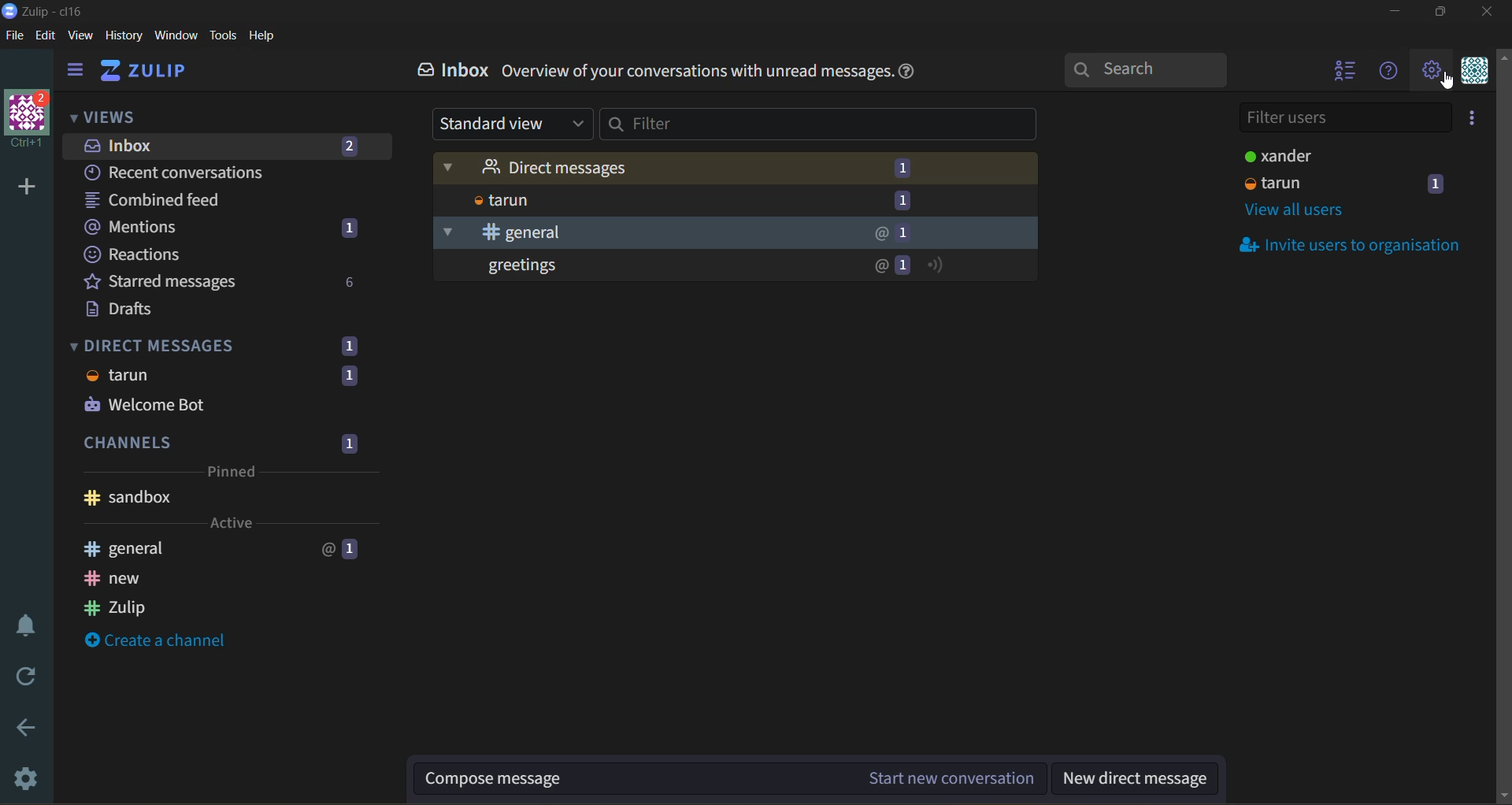 The image size is (1512, 805). Describe the element at coordinates (745, 265) in the screenshot. I see `greetings` at that location.